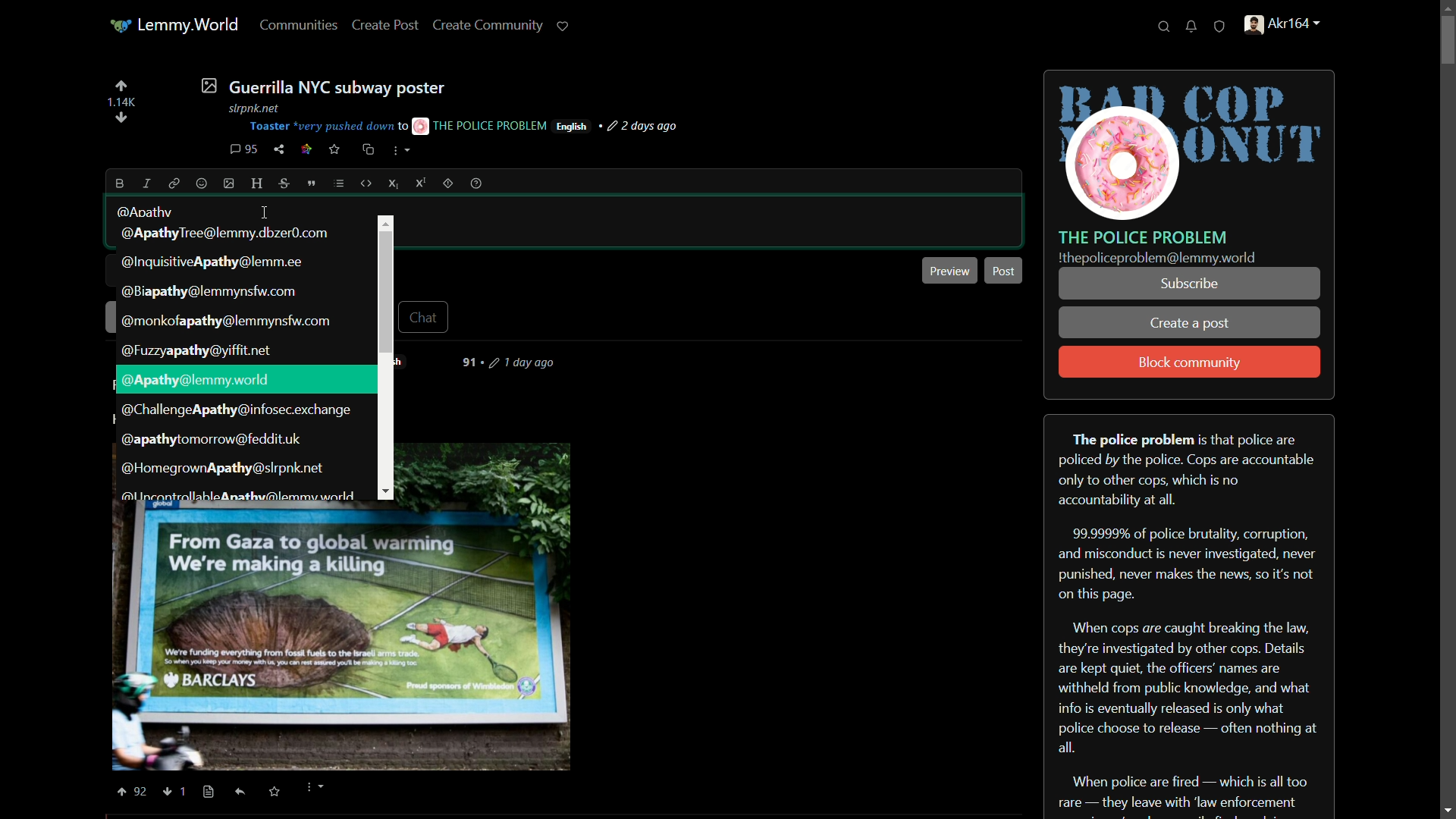 The height and width of the screenshot is (819, 1456). I want to click on more options, so click(313, 789).